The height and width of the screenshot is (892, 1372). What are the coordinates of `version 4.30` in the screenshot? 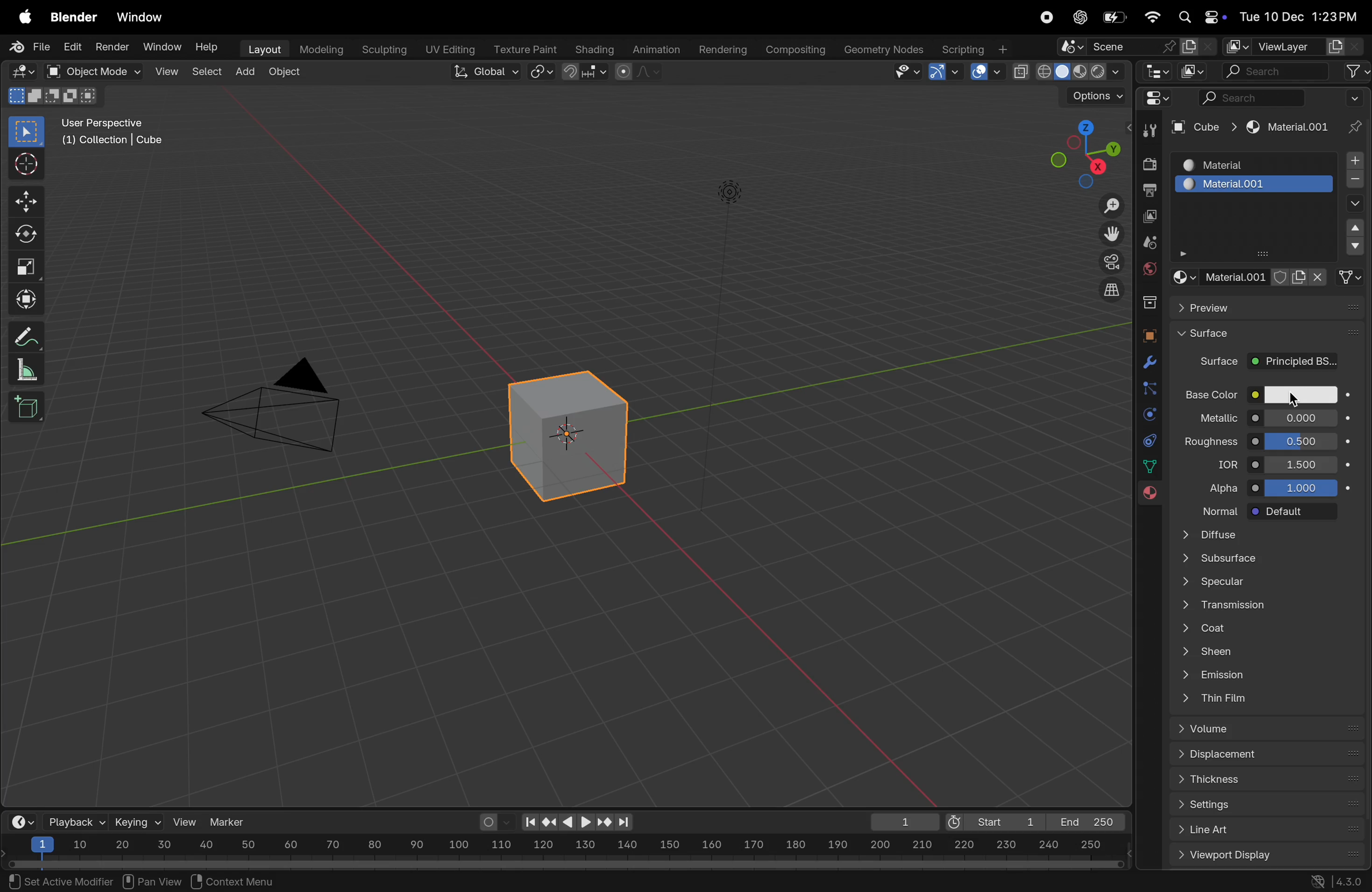 It's located at (1333, 882).